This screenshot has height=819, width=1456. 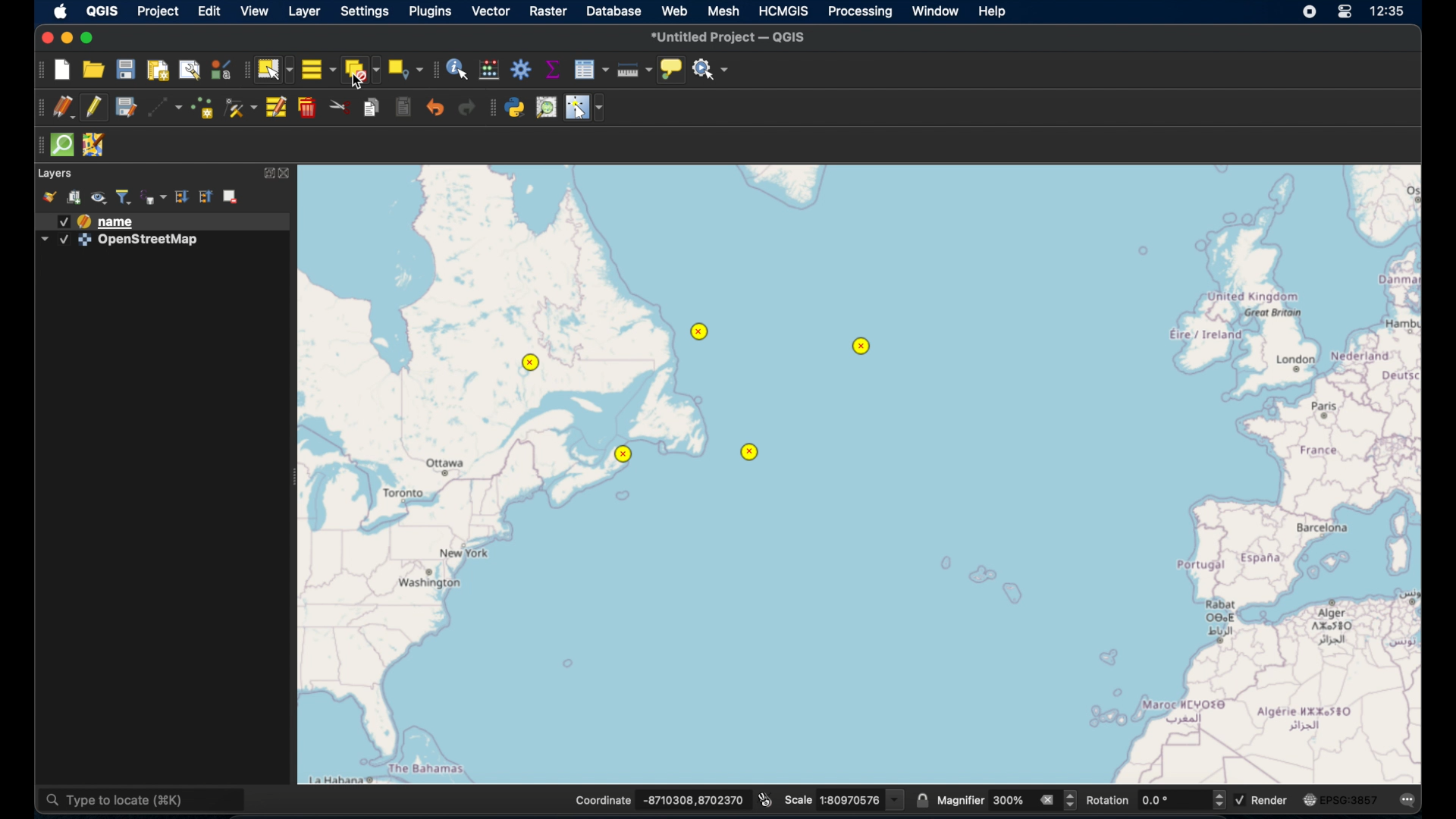 I want to click on jsom remote, so click(x=93, y=144).